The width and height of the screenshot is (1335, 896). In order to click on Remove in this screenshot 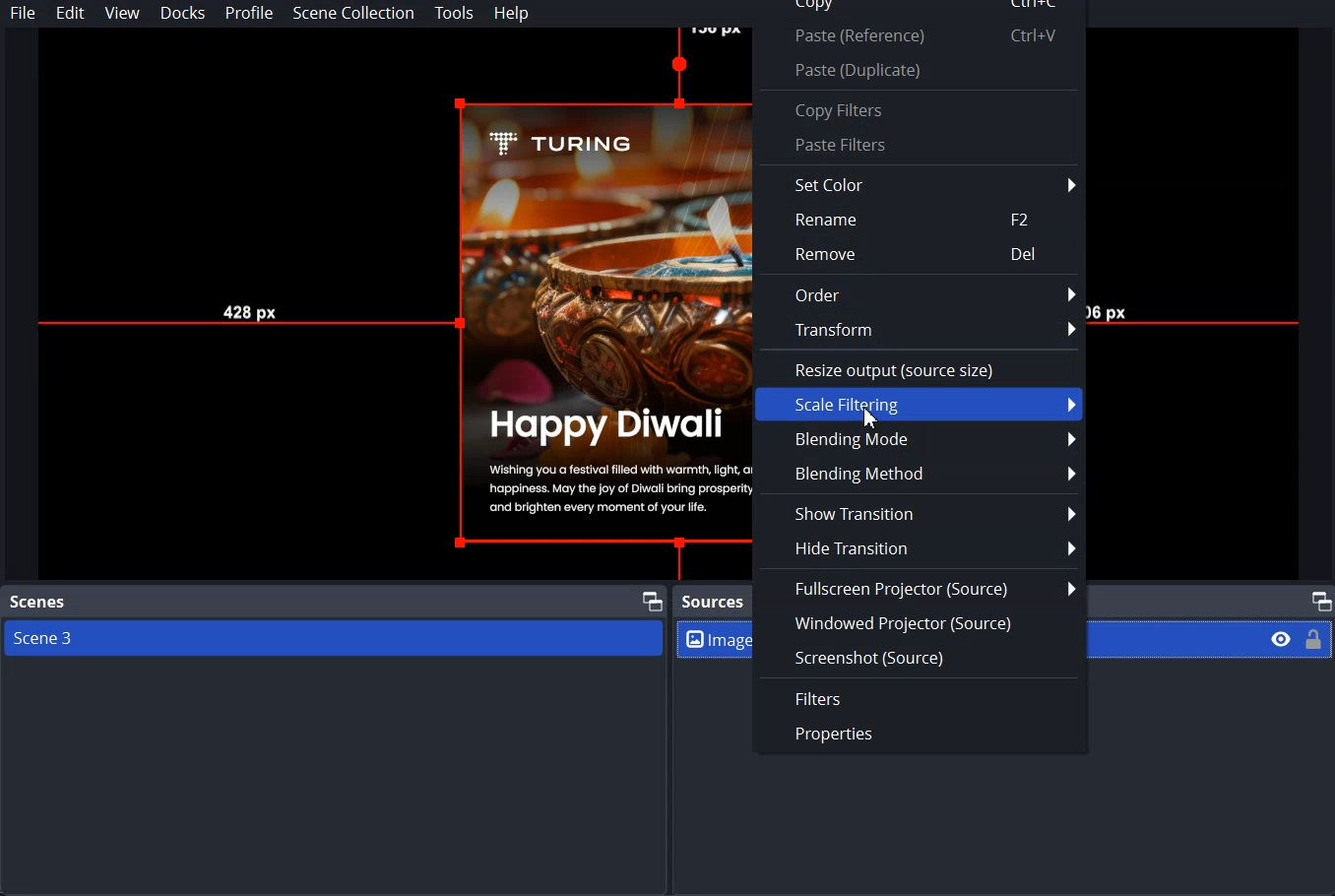, I will do `click(921, 255)`.